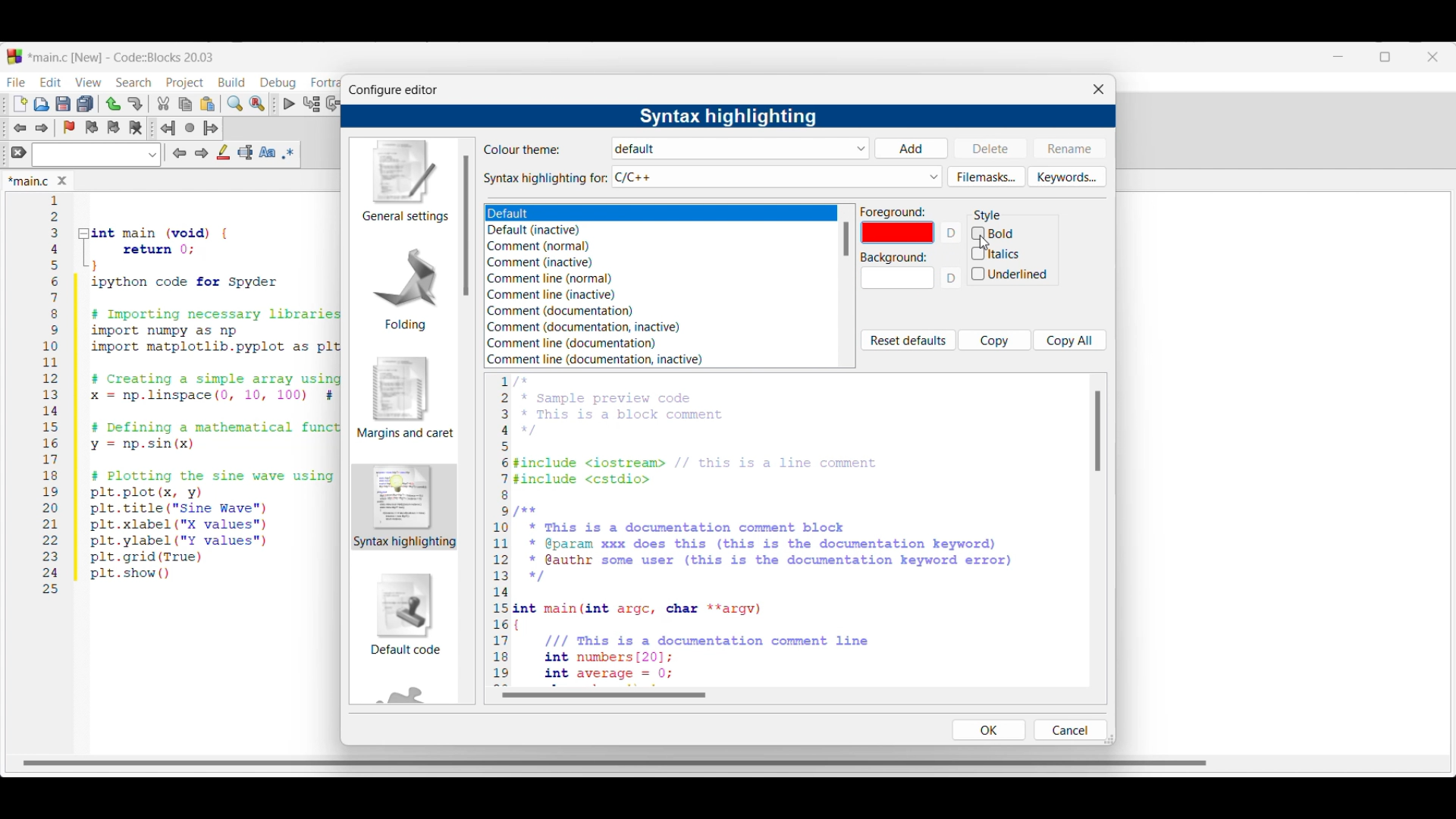 The width and height of the screenshot is (1456, 819). What do you see at coordinates (406, 397) in the screenshot?
I see `Margins and caret` at bounding box center [406, 397].